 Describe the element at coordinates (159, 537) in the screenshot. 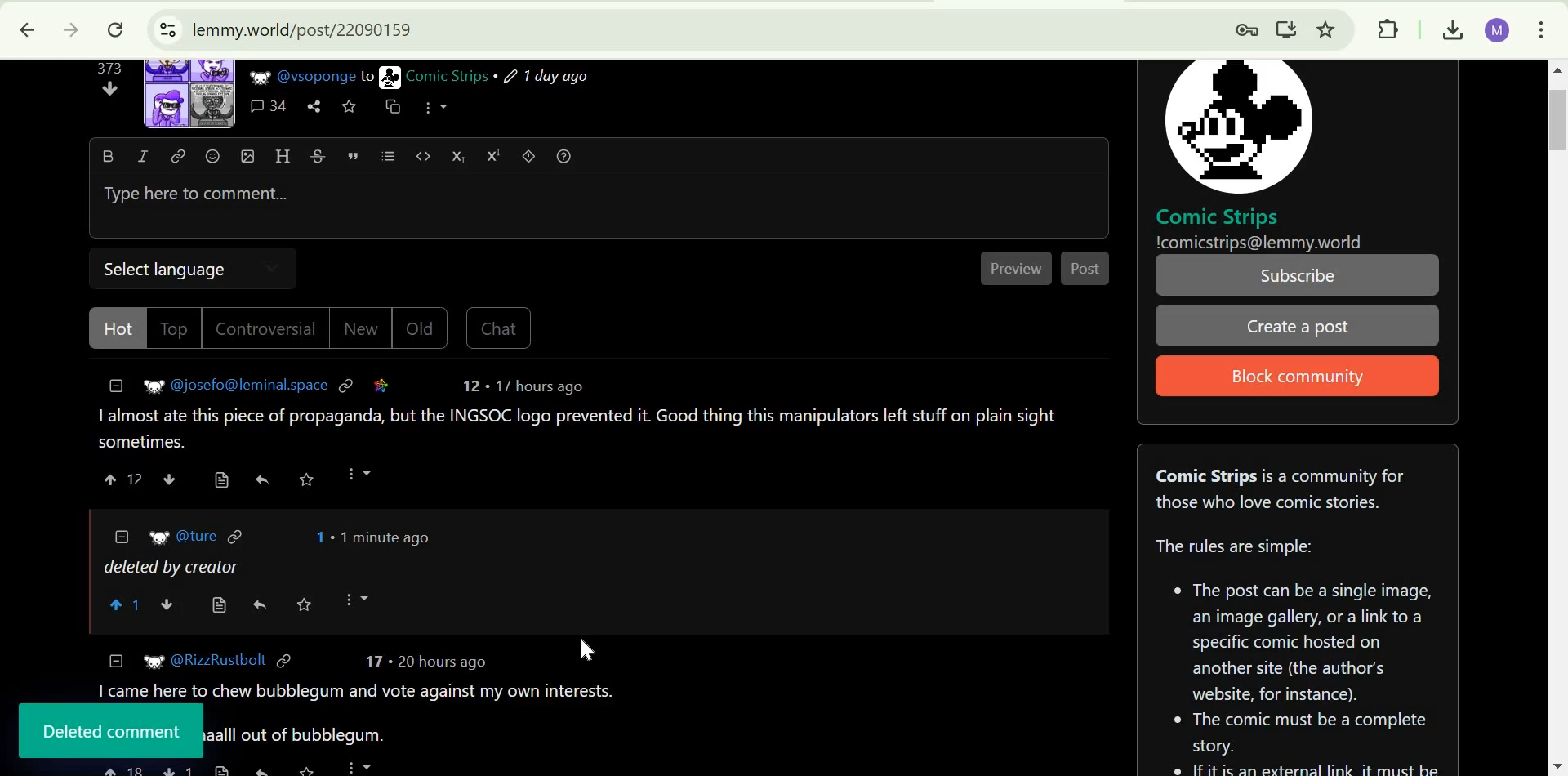

I see `picture` at that location.